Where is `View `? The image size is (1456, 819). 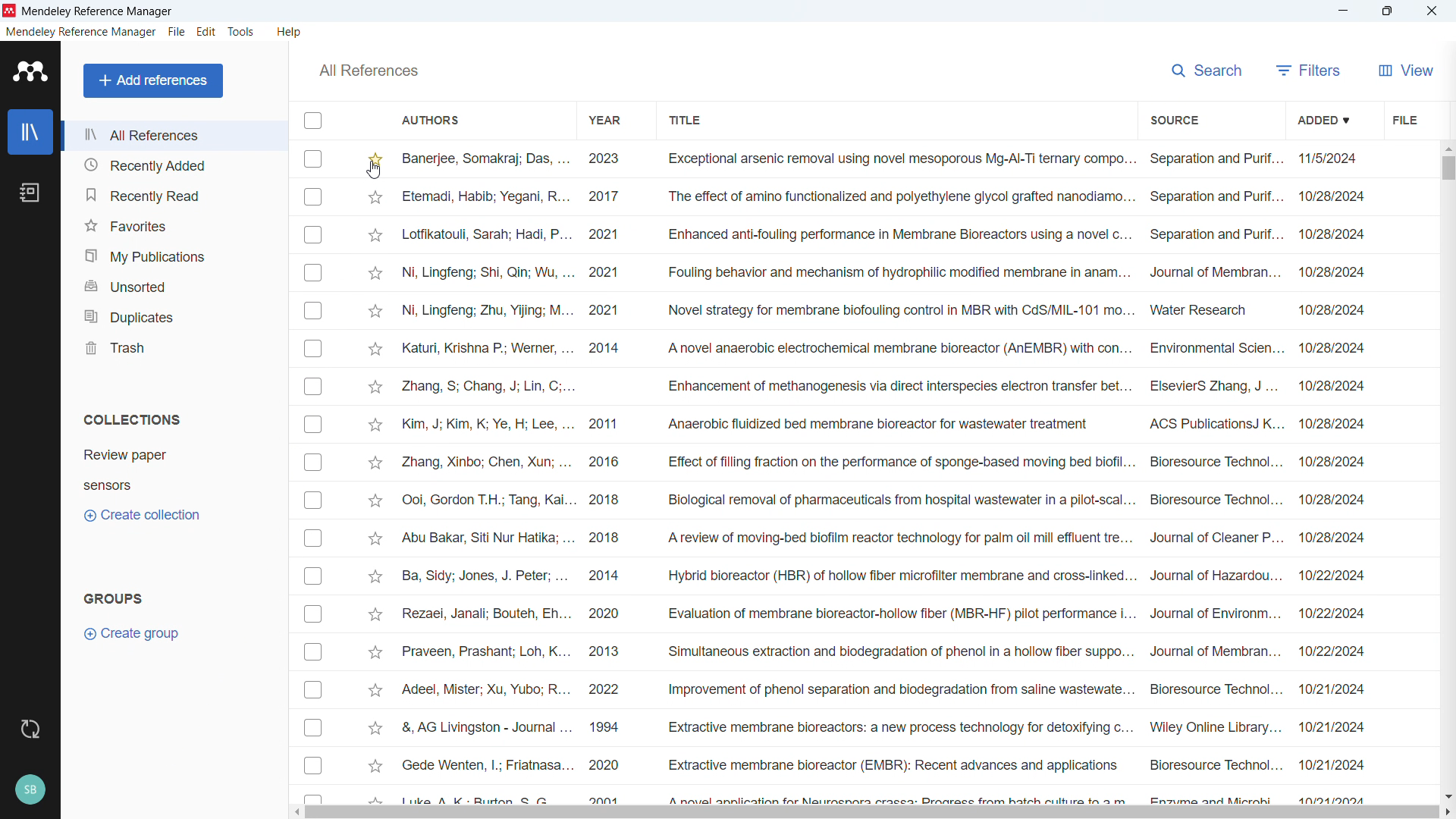 View  is located at coordinates (1405, 70).